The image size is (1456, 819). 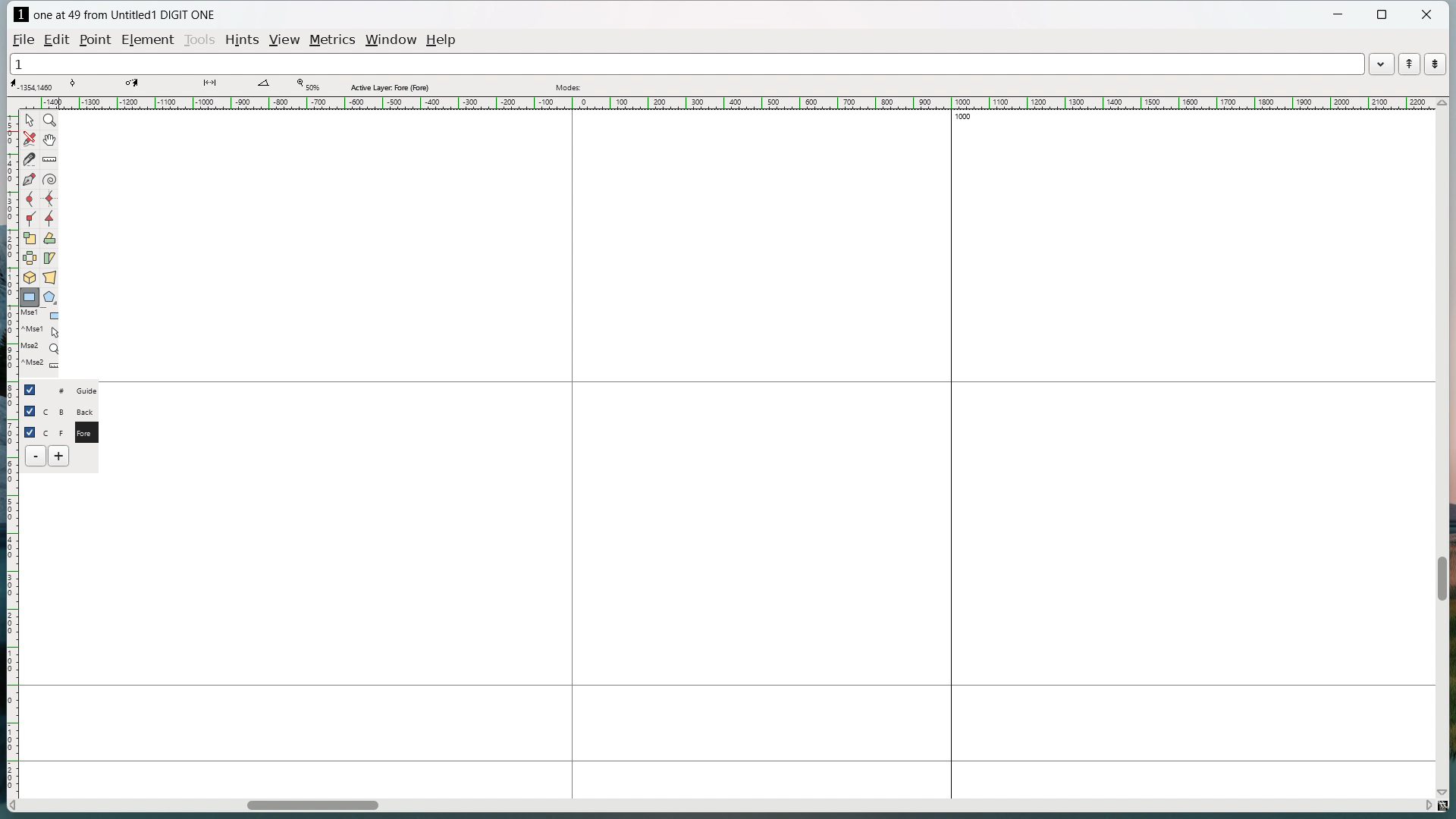 What do you see at coordinates (725, 102) in the screenshot?
I see `horizontal ruler` at bounding box center [725, 102].